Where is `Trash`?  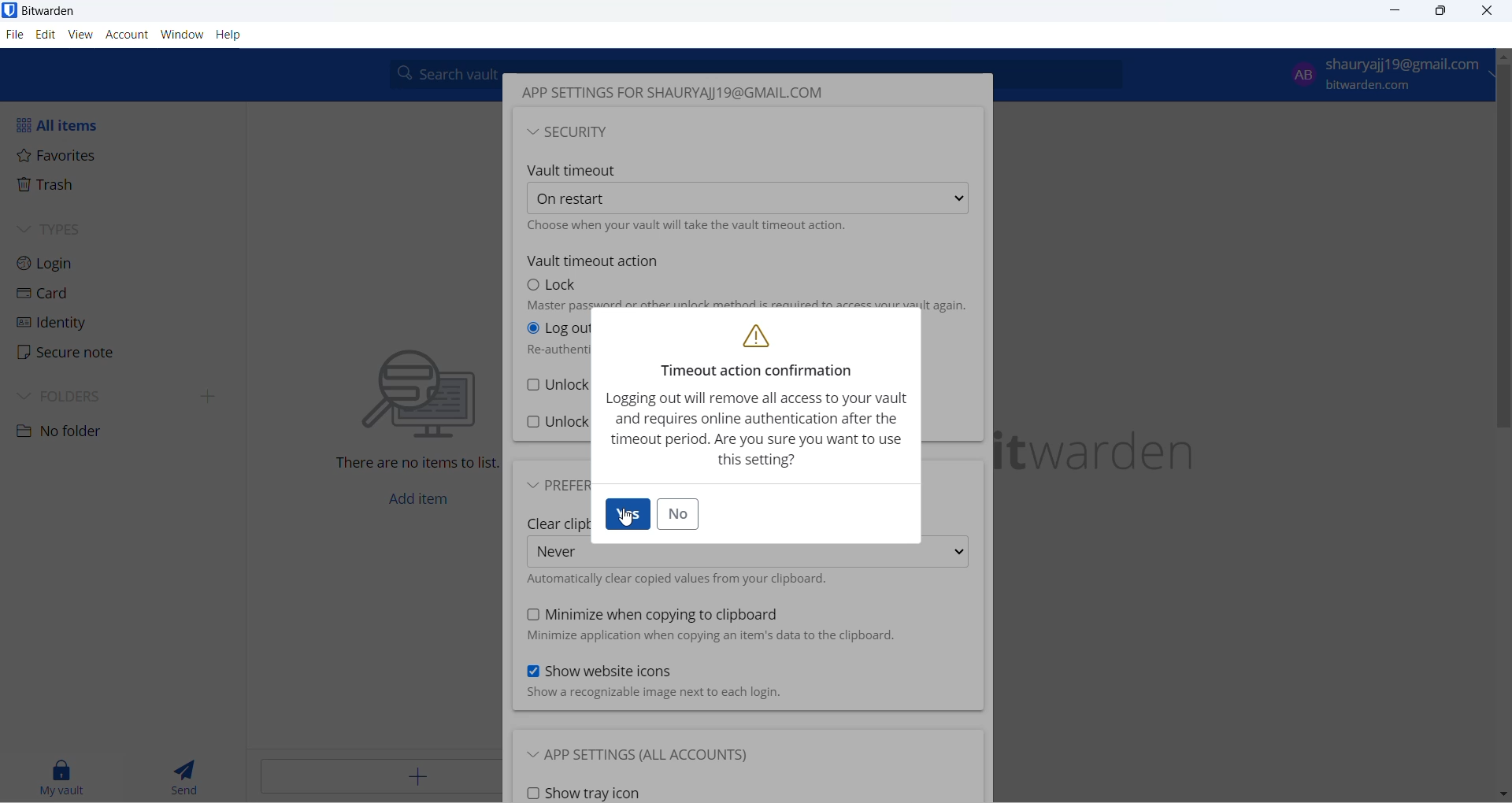 Trash is located at coordinates (61, 189).